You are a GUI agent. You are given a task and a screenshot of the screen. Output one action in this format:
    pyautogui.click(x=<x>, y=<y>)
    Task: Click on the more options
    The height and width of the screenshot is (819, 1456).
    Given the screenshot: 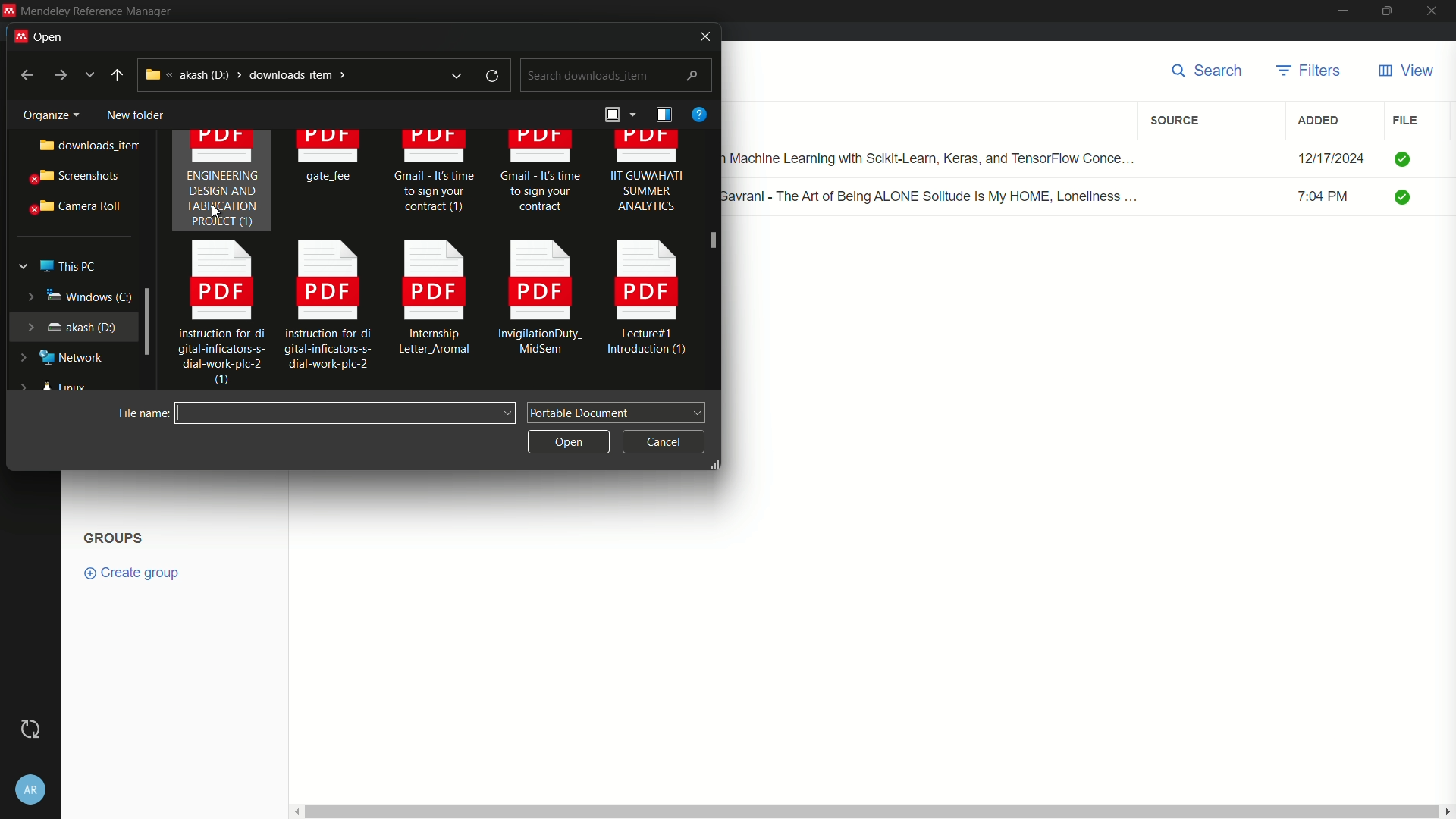 What is the action you would take?
    pyautogui.click(x=91, y=75)
    